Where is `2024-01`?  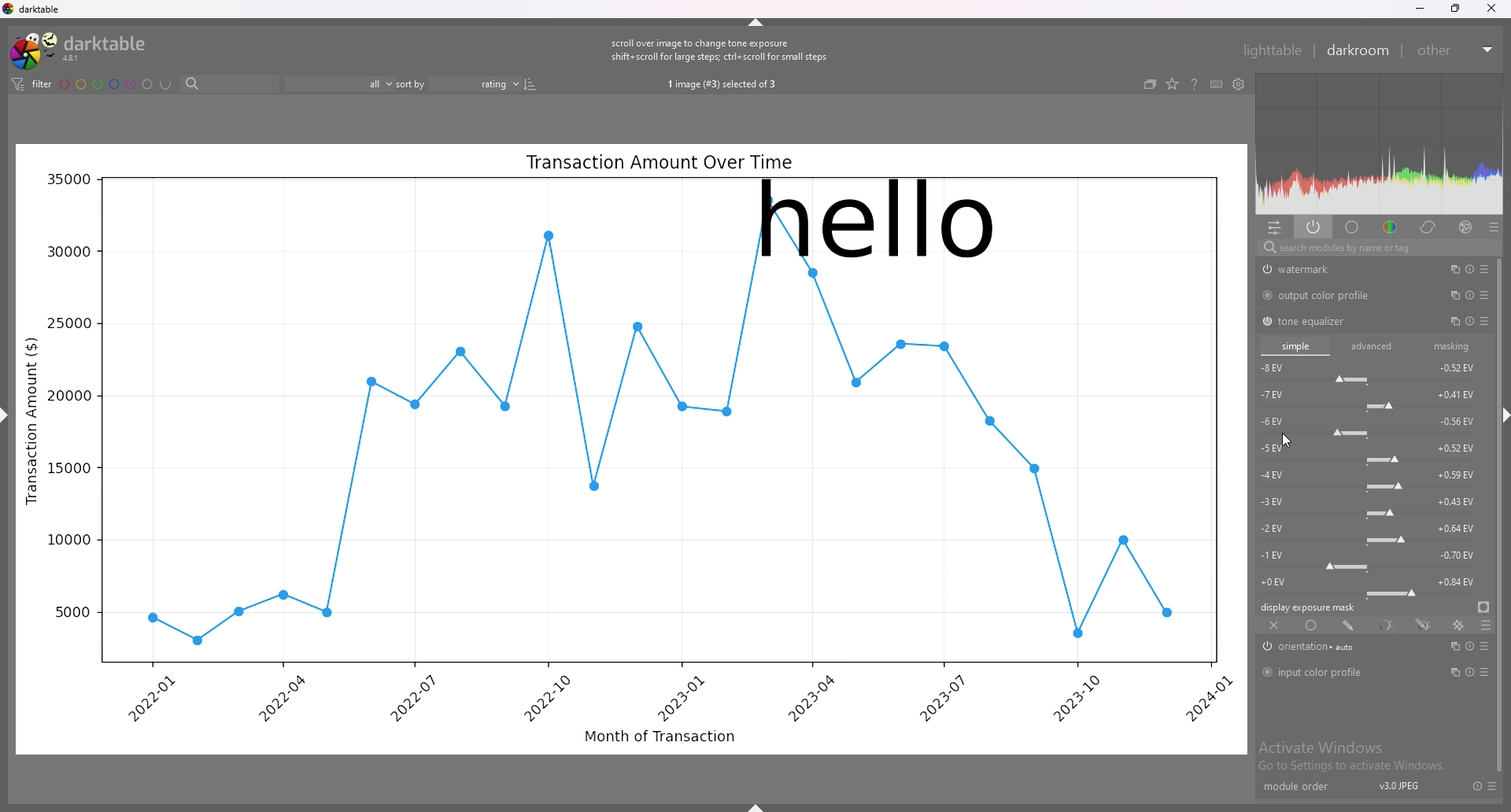 2024-01 is located at coordinates (1207, 699).